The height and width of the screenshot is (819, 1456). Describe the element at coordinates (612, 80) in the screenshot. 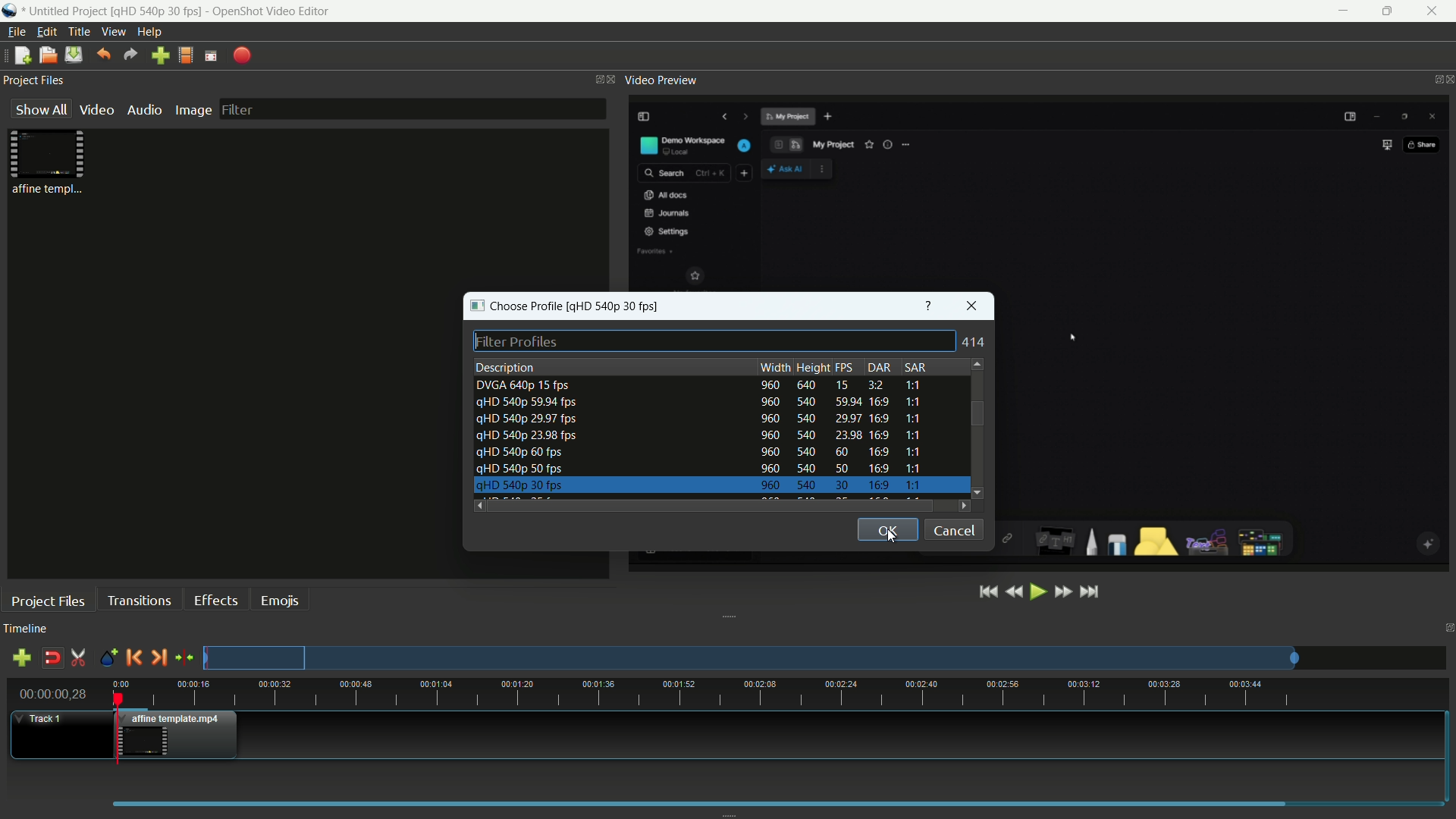

I see `close project files` at that location.